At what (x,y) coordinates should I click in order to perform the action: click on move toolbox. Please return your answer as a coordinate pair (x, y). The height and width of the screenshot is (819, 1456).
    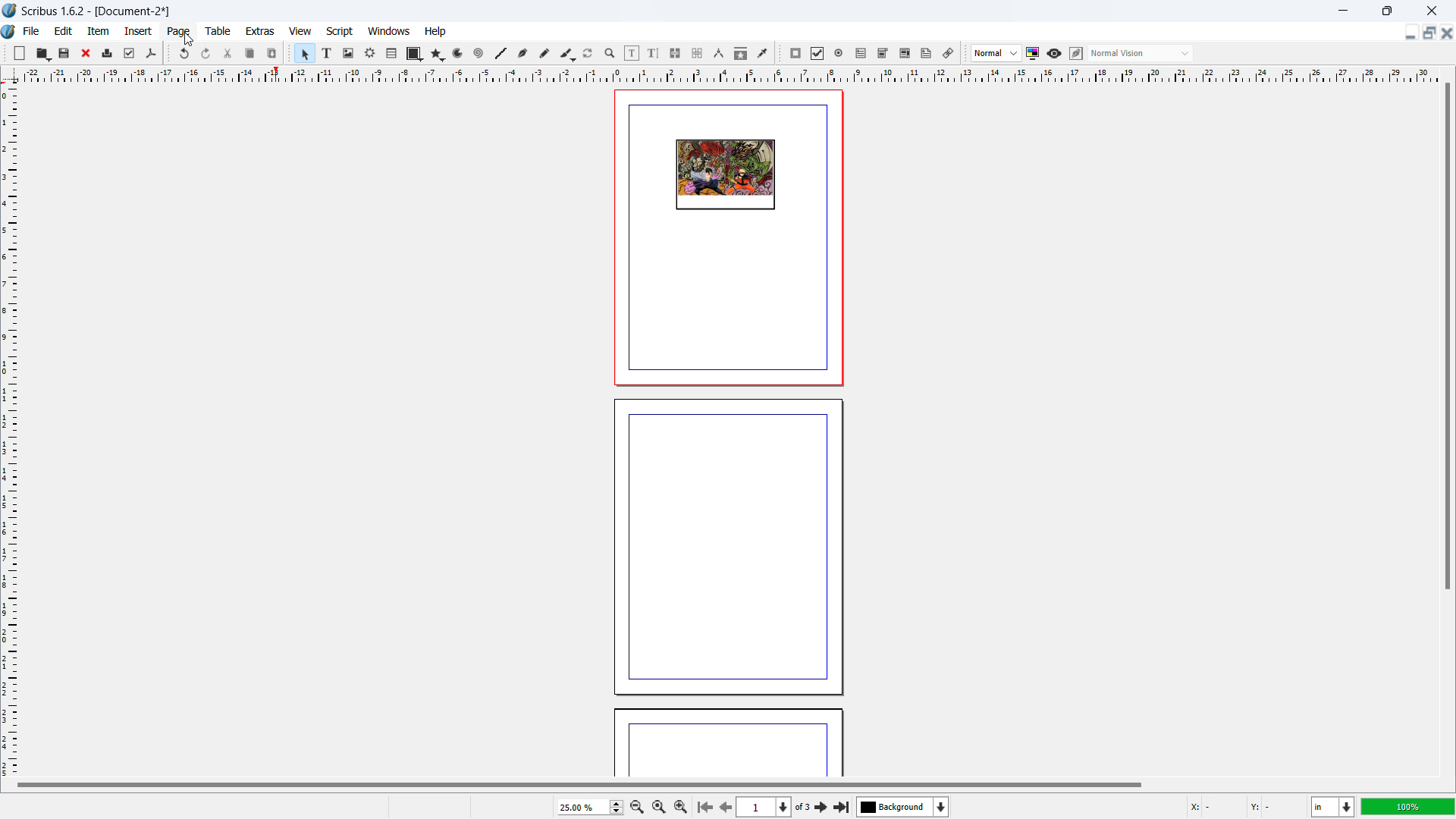
    Looking at the image, I should click on (780, 54).